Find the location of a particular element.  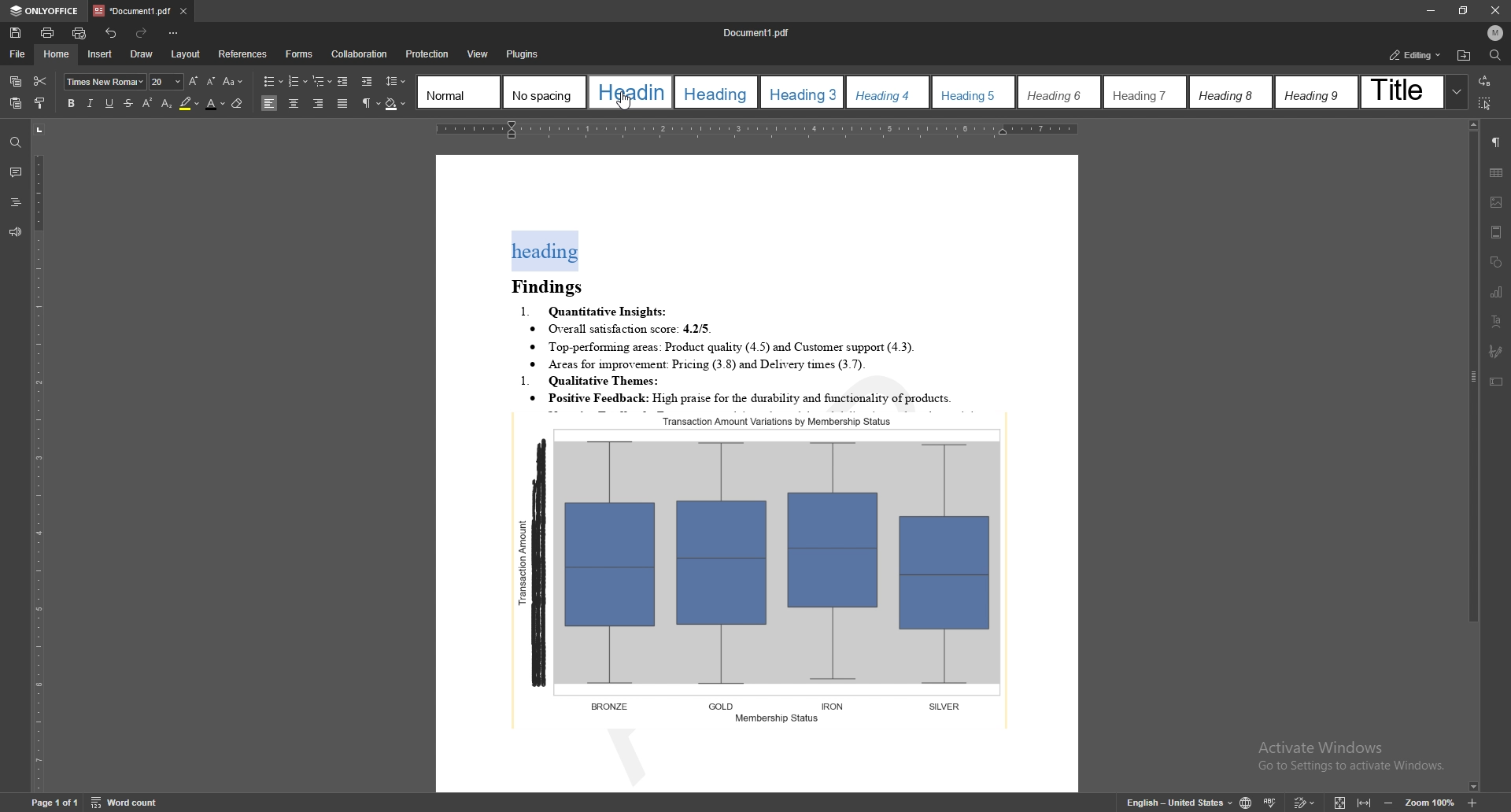

word count is located at coordinates (133, 803).